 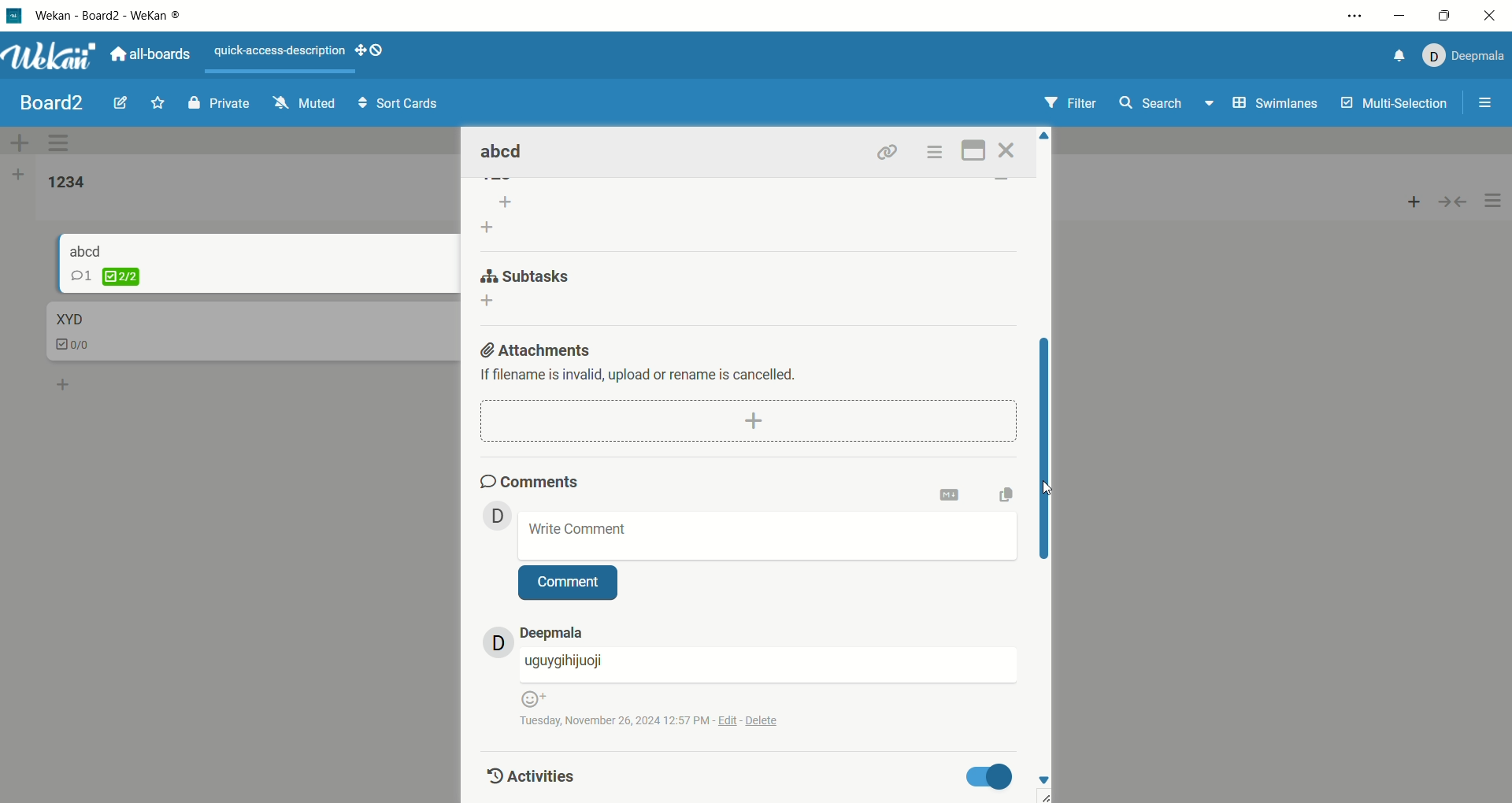 I want to click on maximize, so click(x=975, y=149).